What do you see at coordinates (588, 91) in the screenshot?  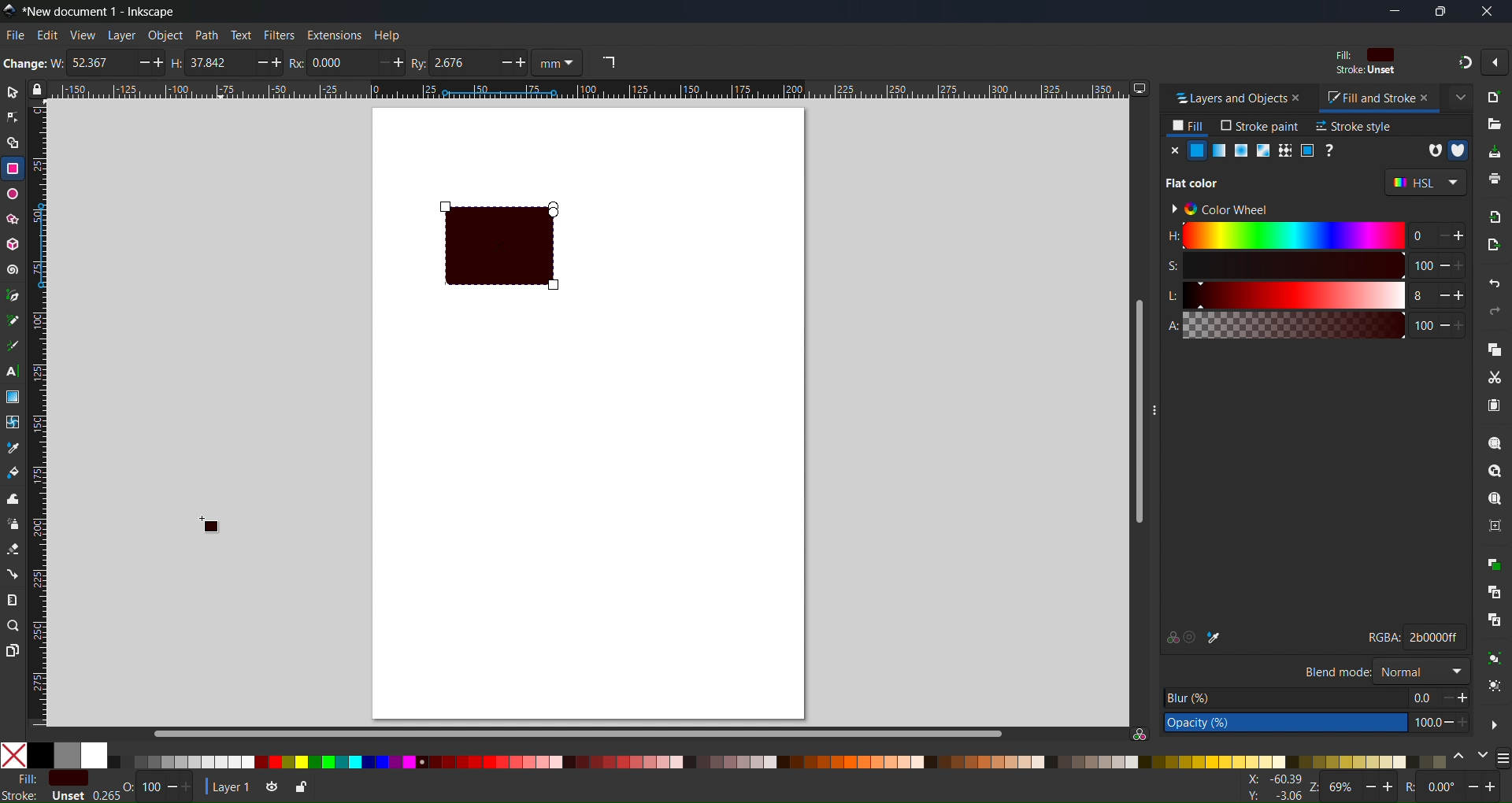 I see `Horizontal millimeter scale` at bounding box center [588, 91].